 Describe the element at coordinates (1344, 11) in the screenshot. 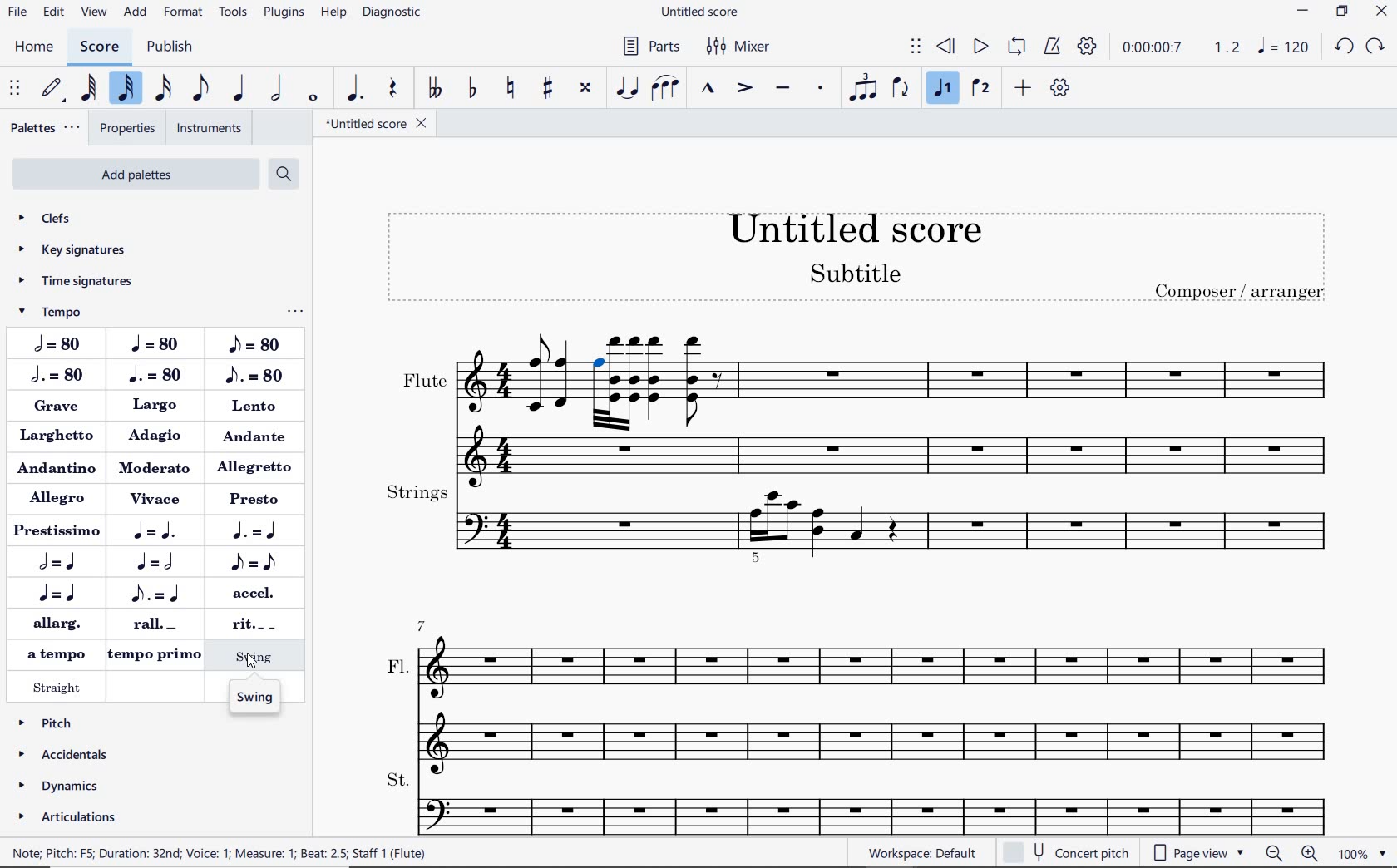

I see `restore down` at that location.